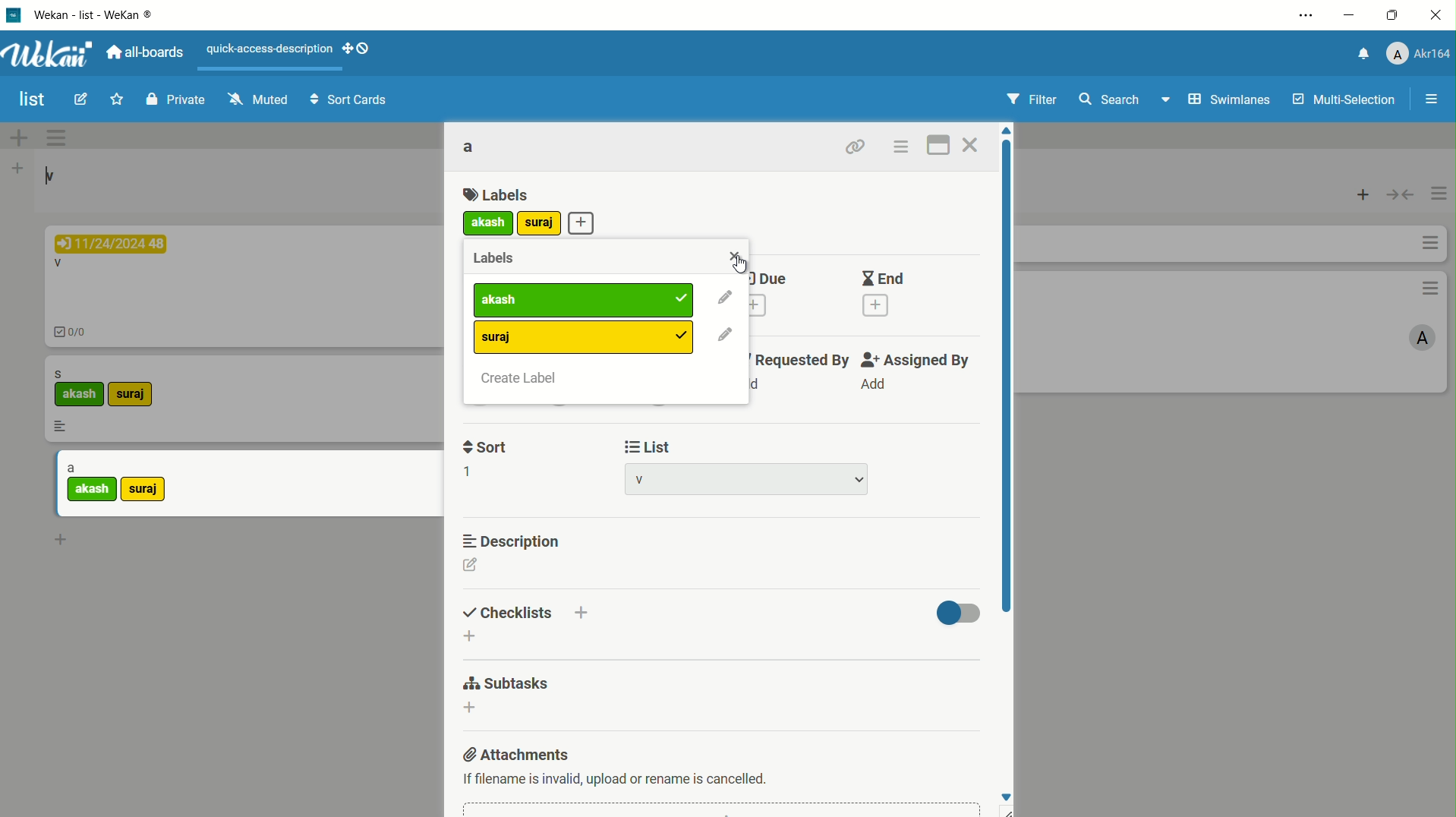  Describe the element at coordinates (900, 147) in the screenshot. I see `card actions` at that location.